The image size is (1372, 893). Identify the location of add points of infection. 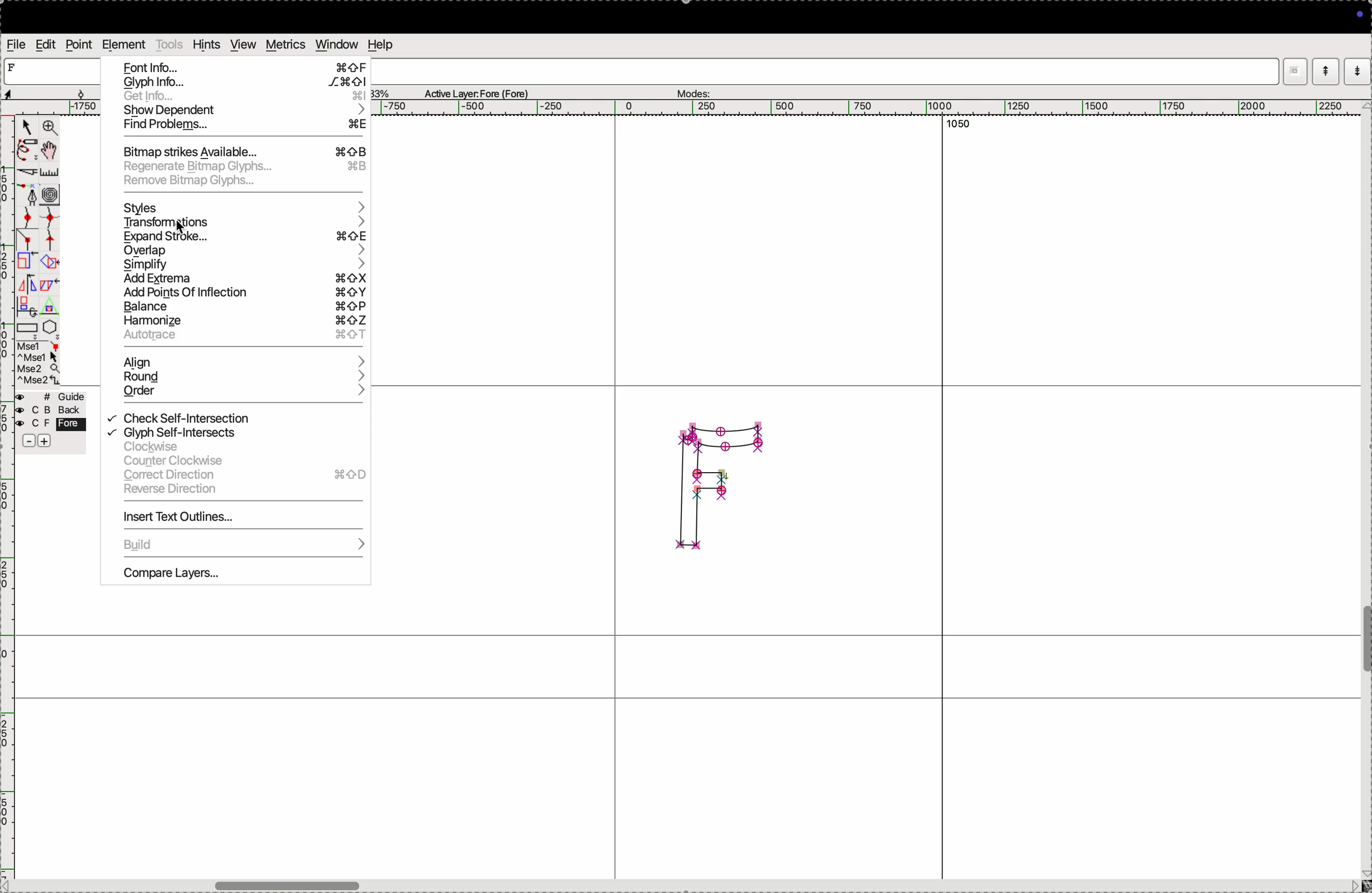
(240, 293).